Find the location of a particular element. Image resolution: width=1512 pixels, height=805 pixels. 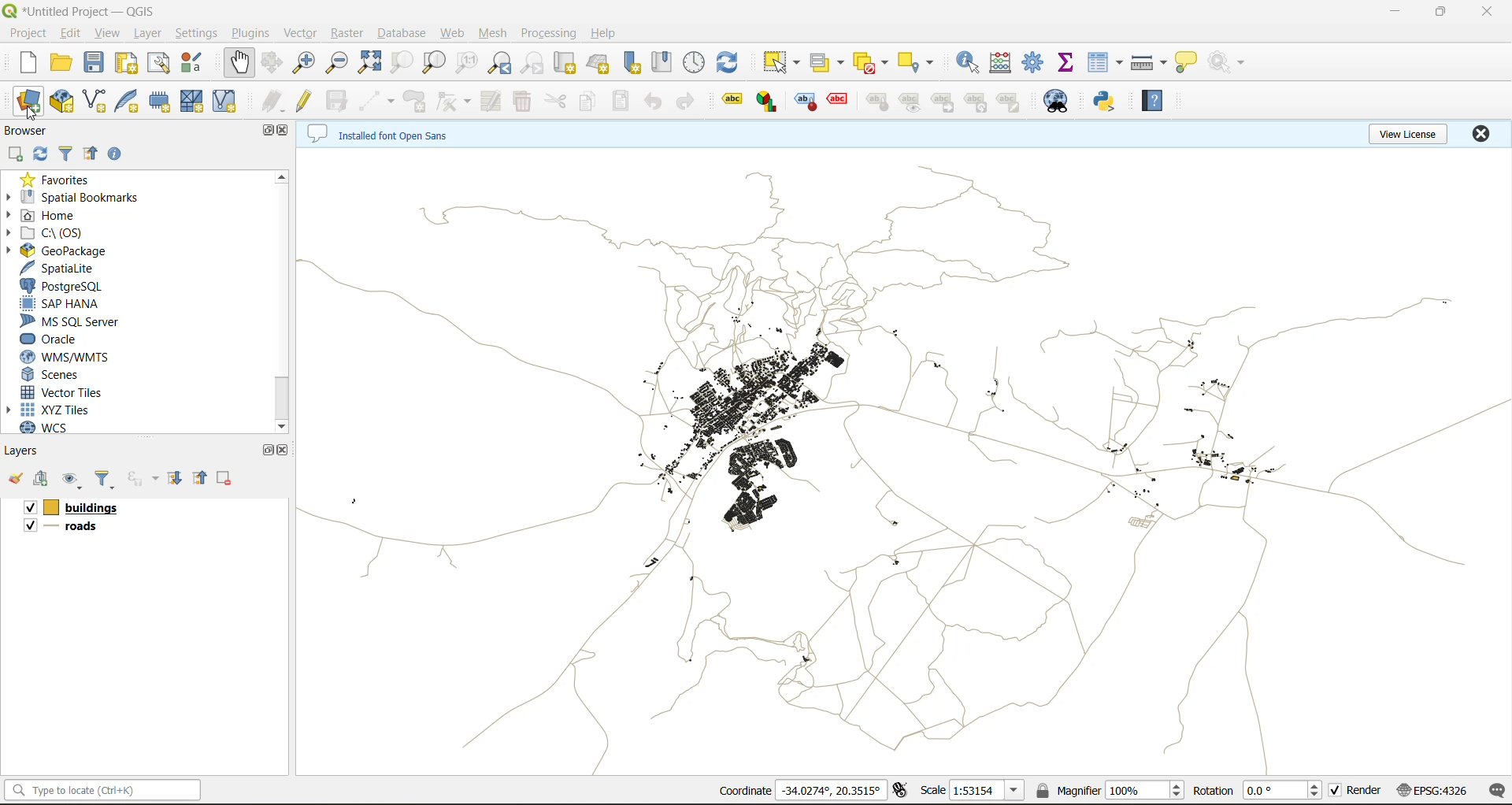

expand all is located at coordinates (175, 478).